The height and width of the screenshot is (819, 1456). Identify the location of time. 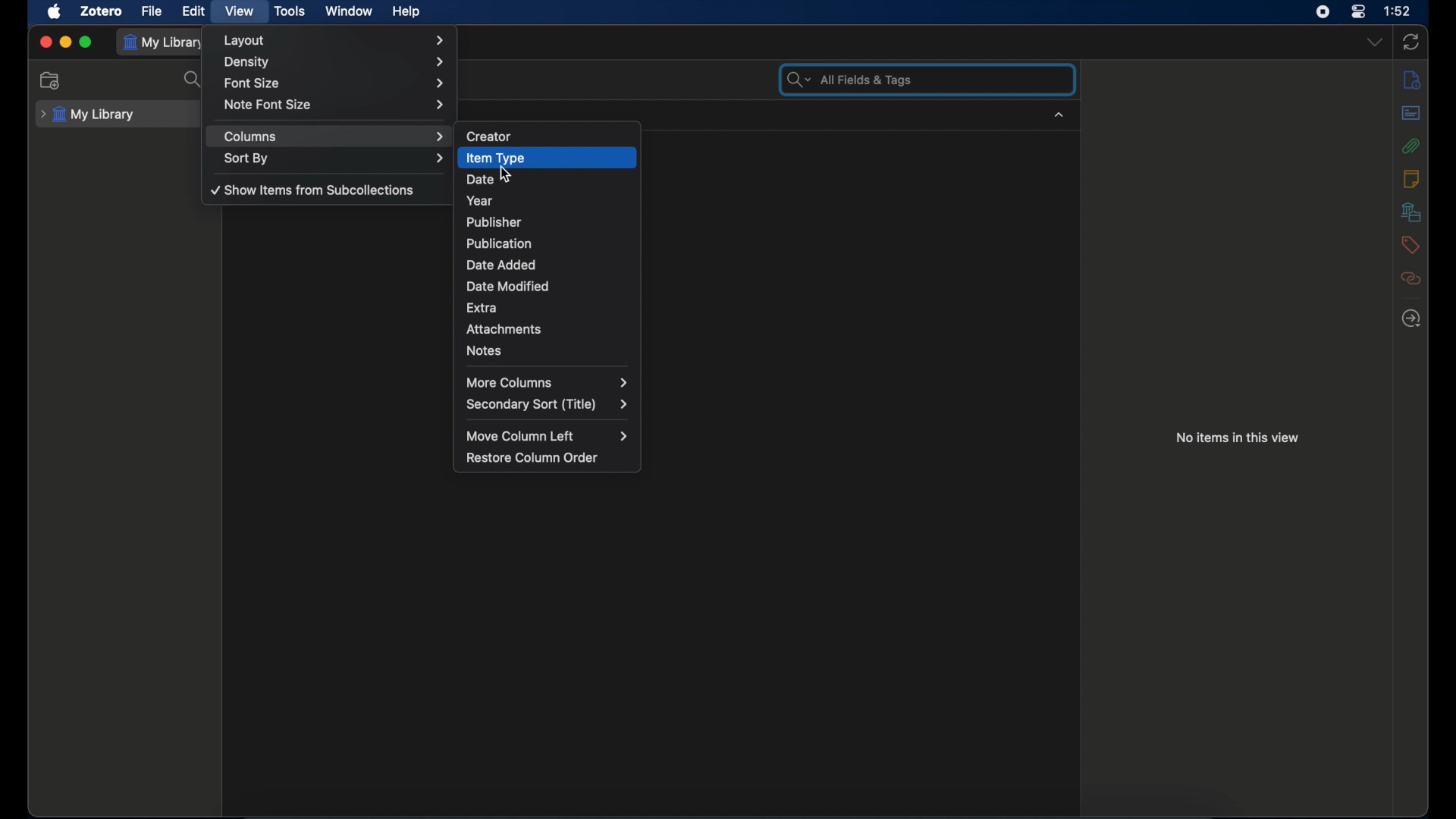
(1398, 11).